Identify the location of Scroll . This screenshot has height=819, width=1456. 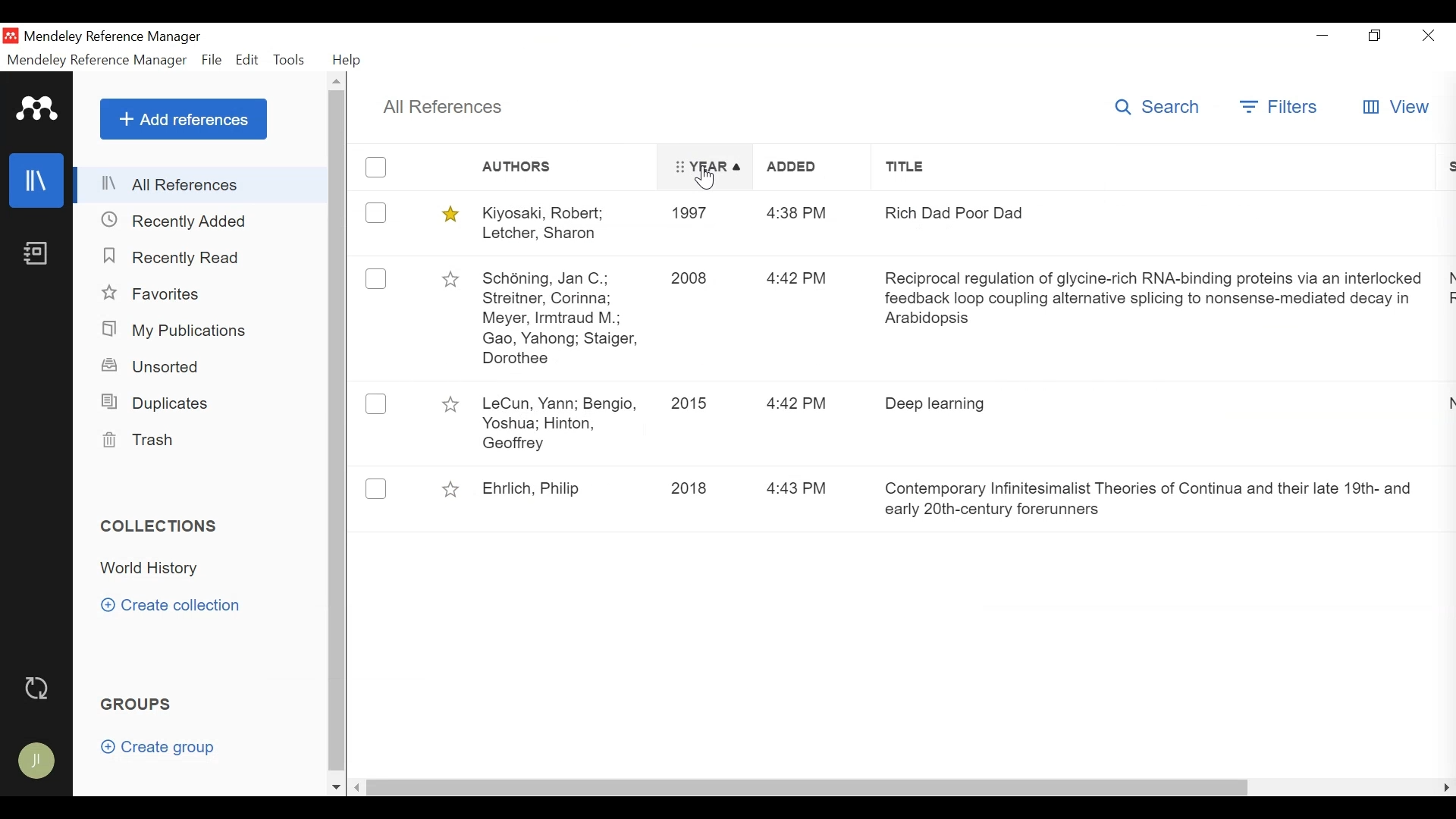
(340, 431).